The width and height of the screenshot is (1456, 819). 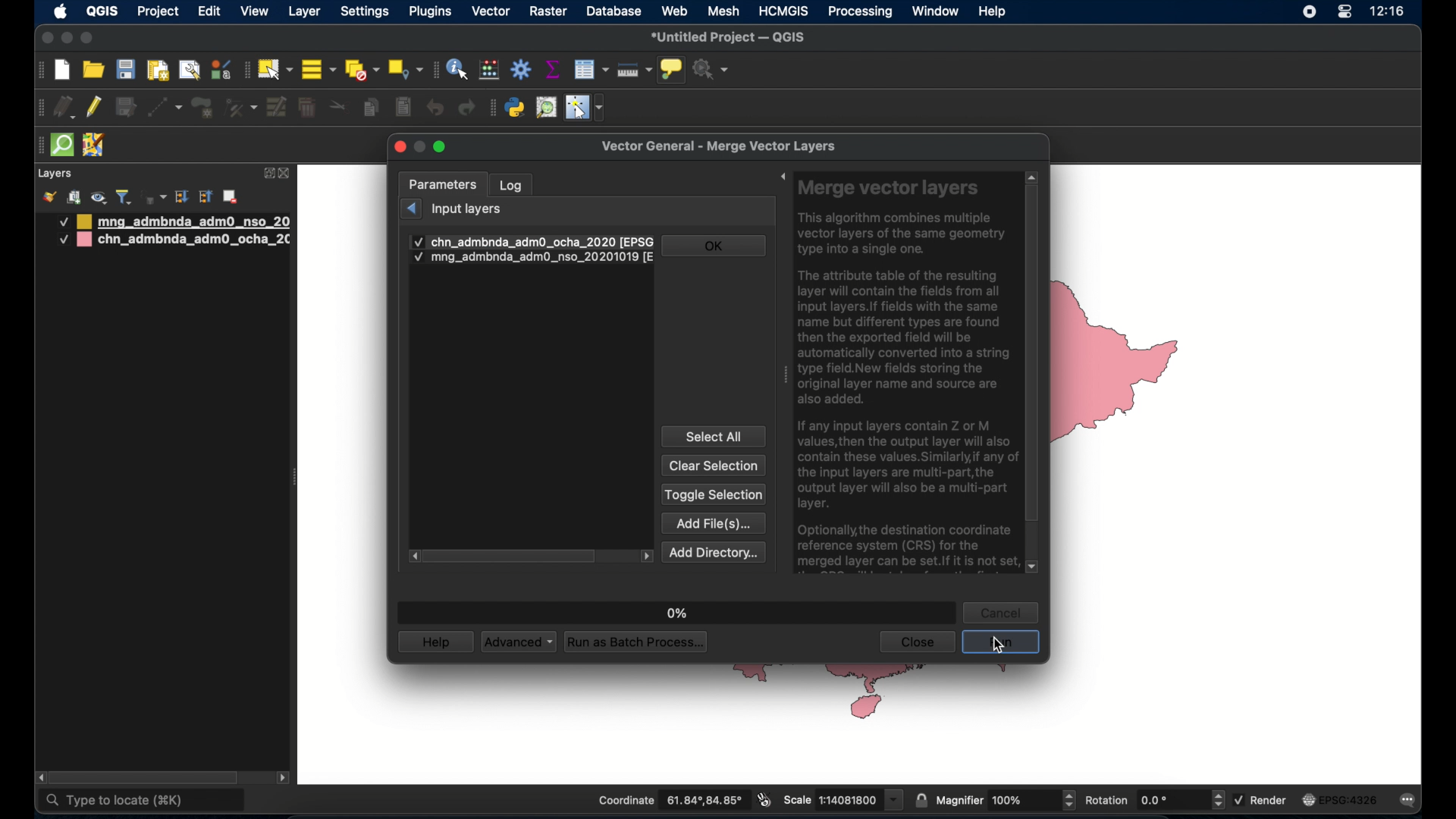 What do you see at coordinates (42, 110) in the screenshot?
I see `digitizing toolbar` at bounding box center [42, 110].